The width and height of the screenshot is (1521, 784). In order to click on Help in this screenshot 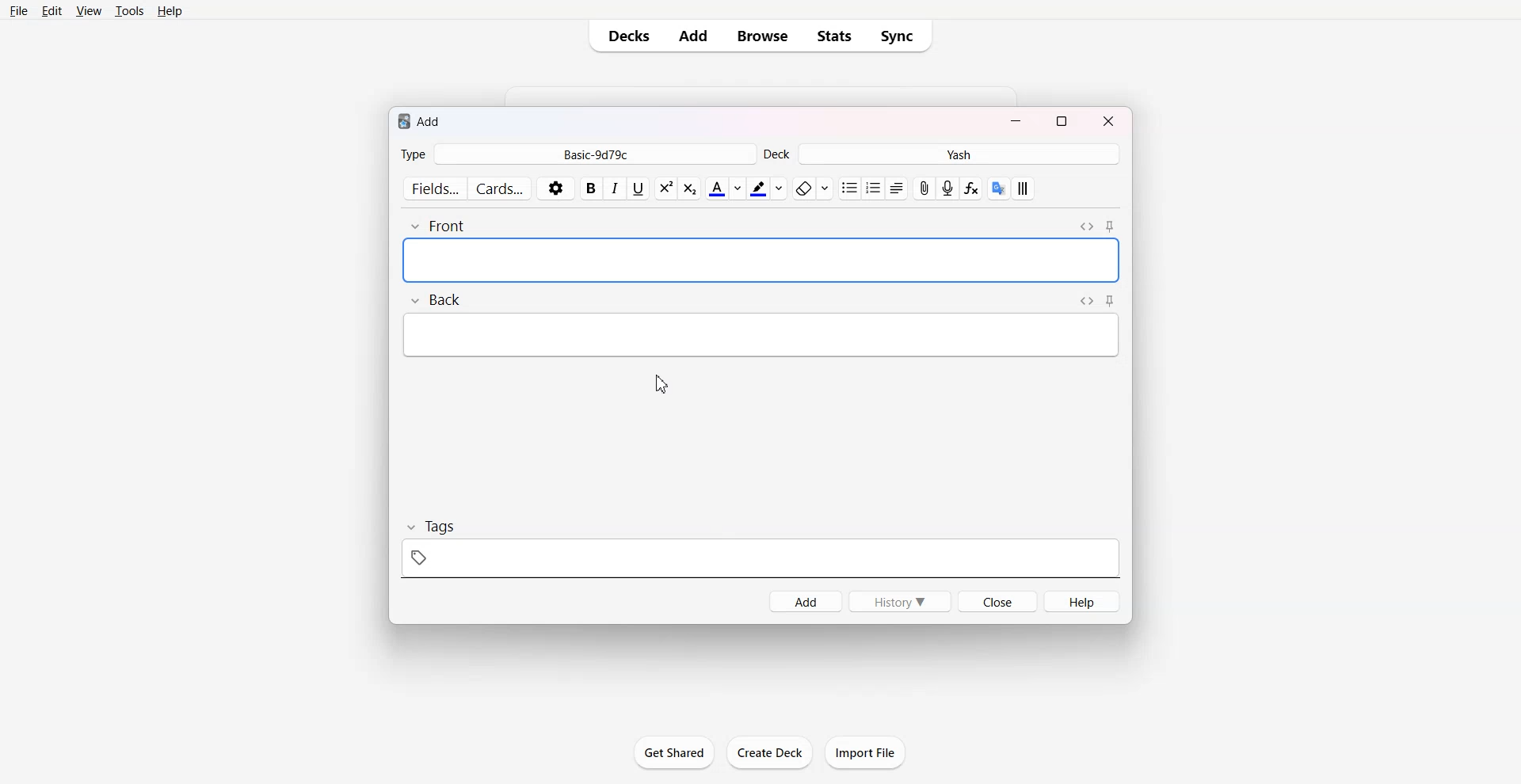, I will do `click(173, 12)`.